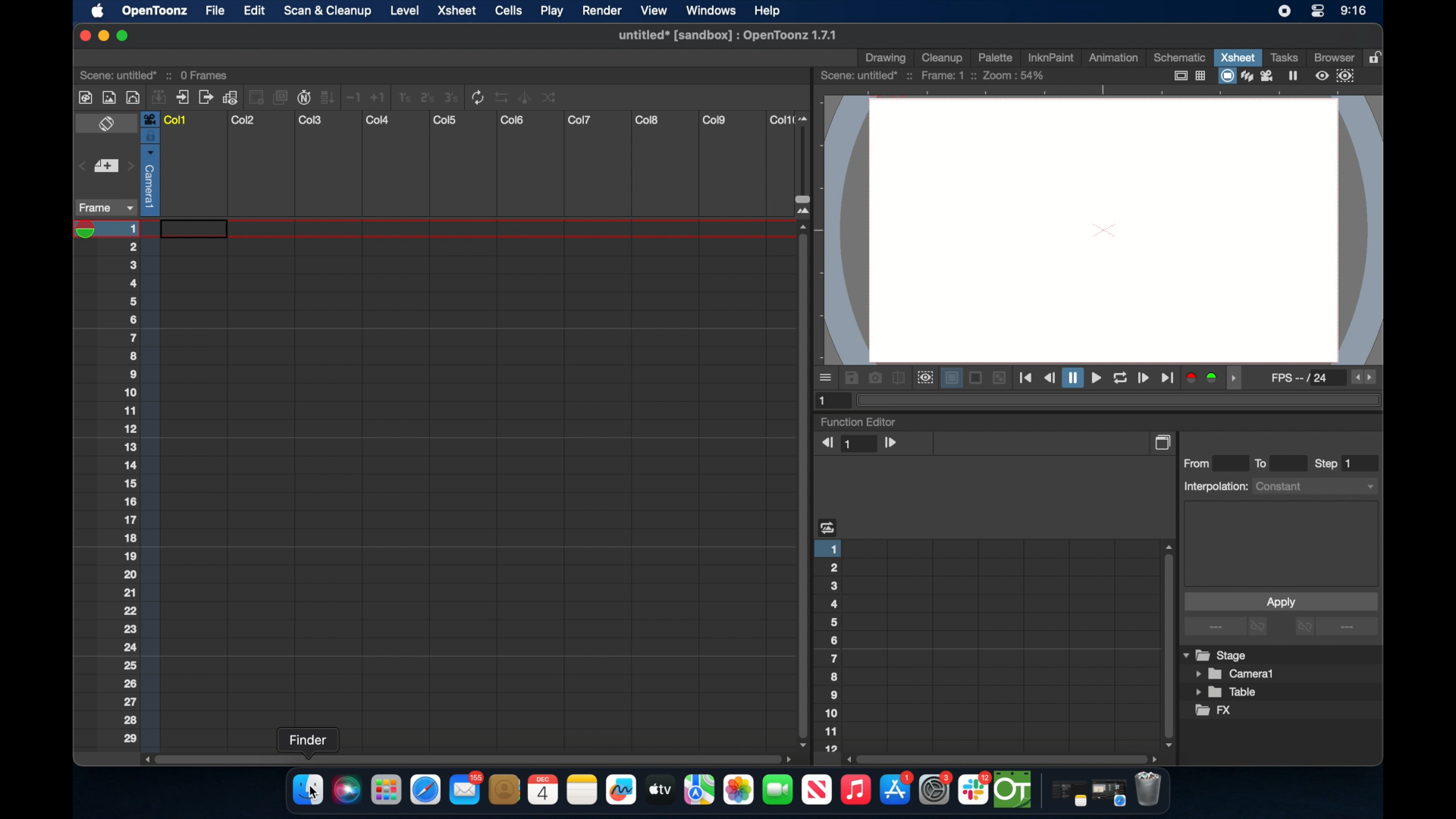 The image size is (1456, 819). I want to click on imaps, so click(699, 790).